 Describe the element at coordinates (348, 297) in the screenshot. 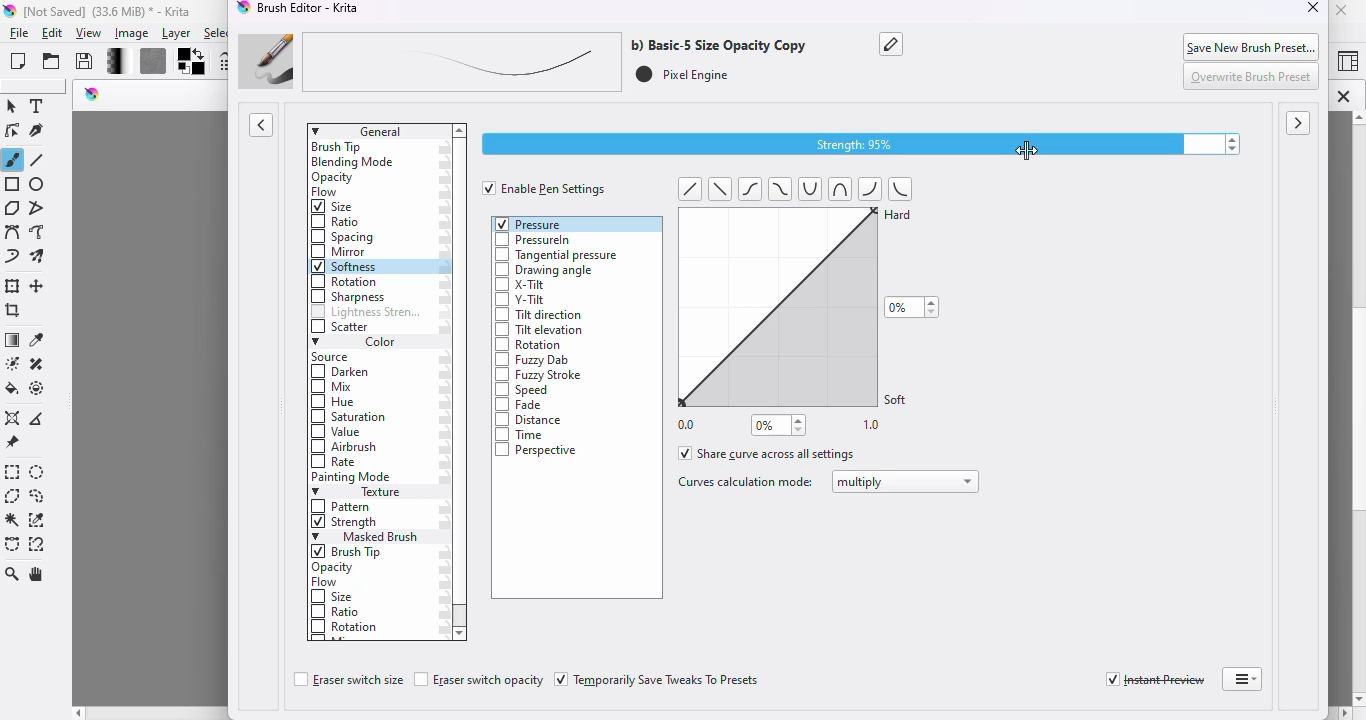

I see `sharpness` at that location.